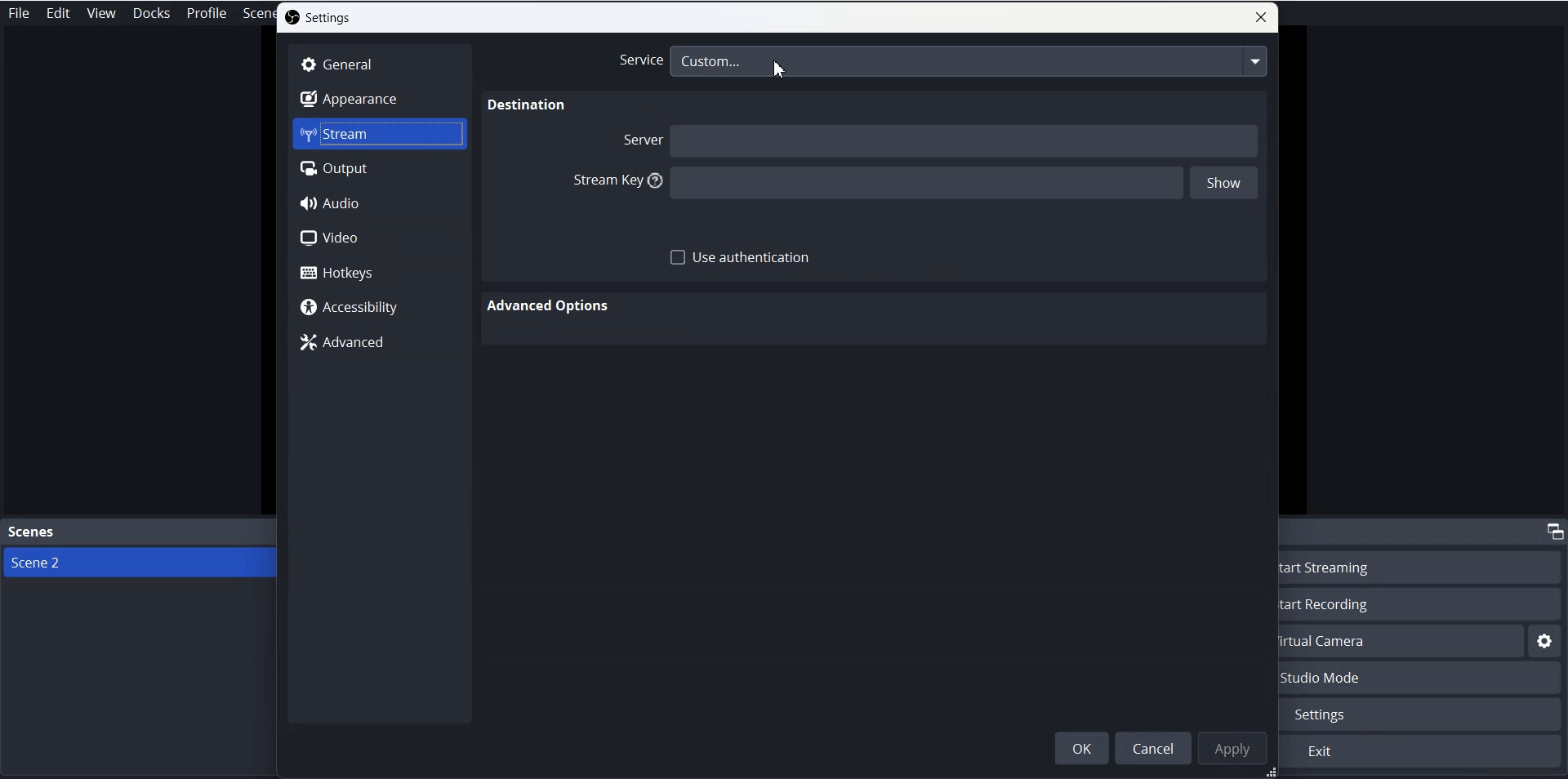 This screenshot has height=779, width=1568. I want to click on close, so click(1261, 17).